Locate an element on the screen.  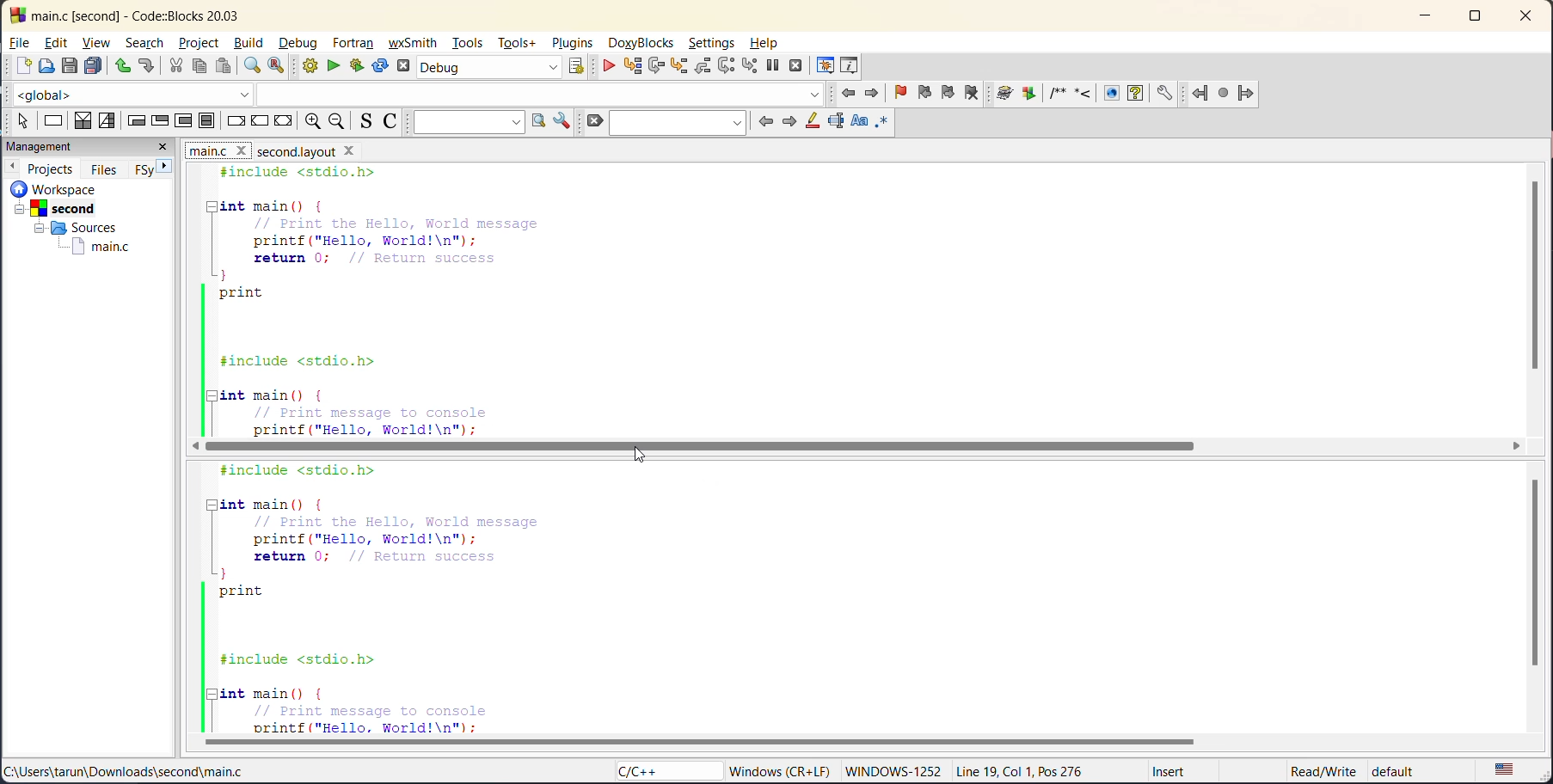
language is located at coordinates (654, 770).